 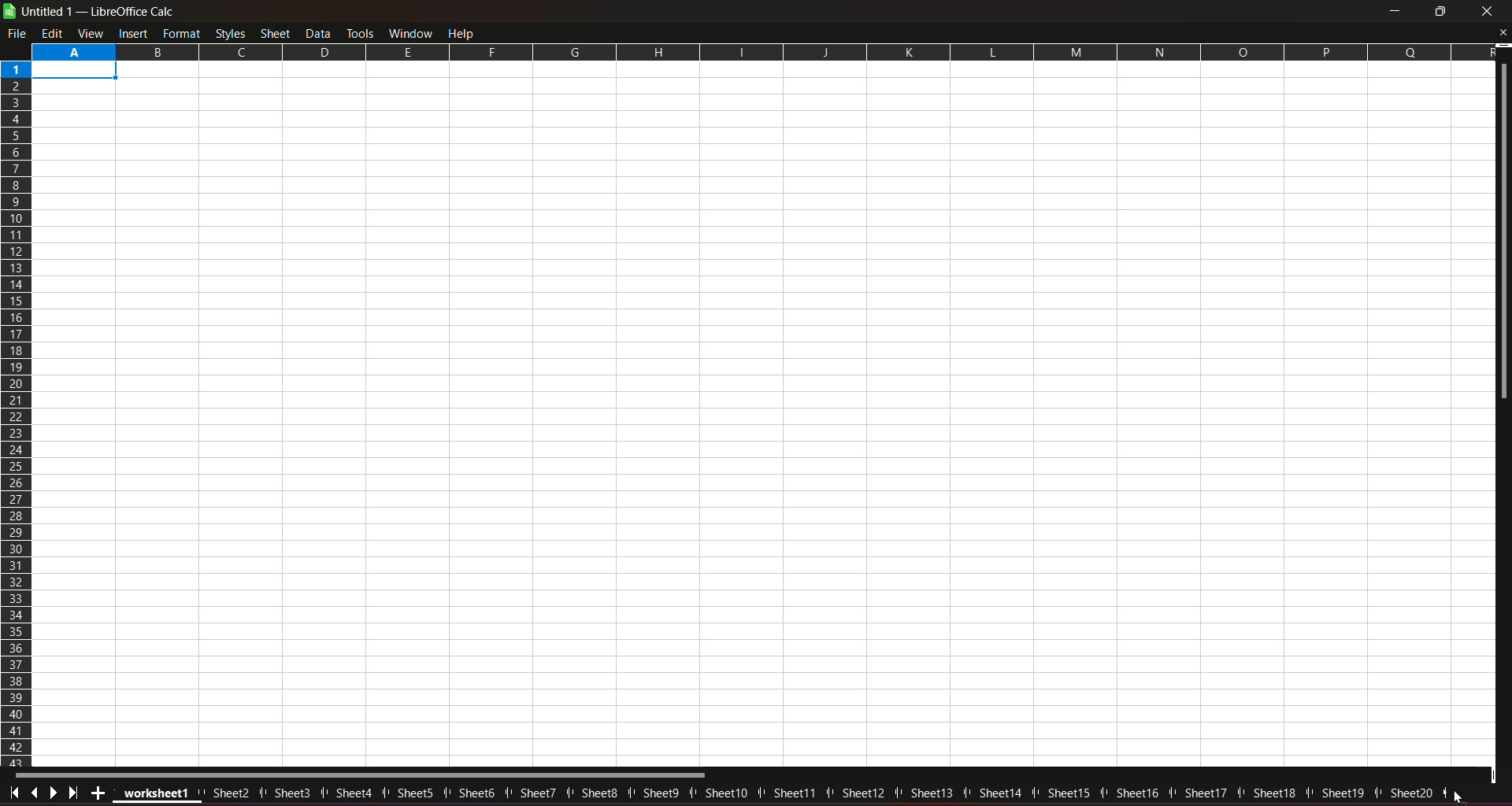 What do you see at coordinates (783, 794) in the screenshot?
I see `worksheets` at bounding box center [783, 794].